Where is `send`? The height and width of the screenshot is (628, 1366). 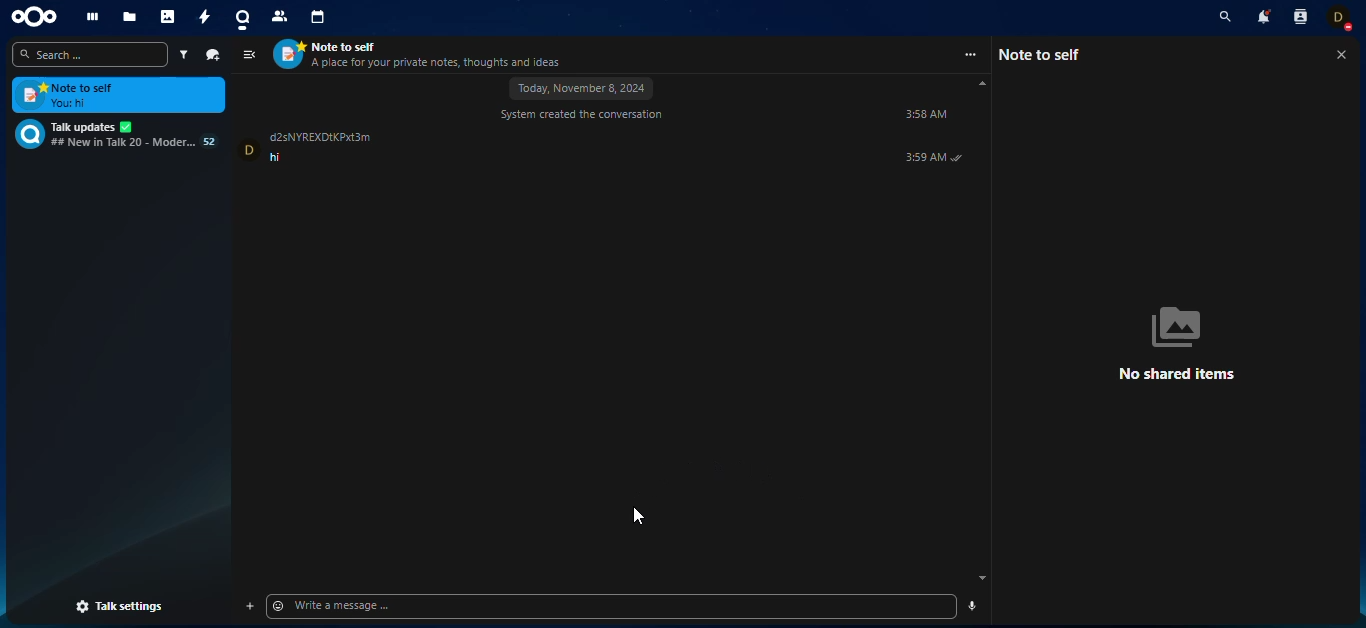
send is located at coordinates (971, 605).